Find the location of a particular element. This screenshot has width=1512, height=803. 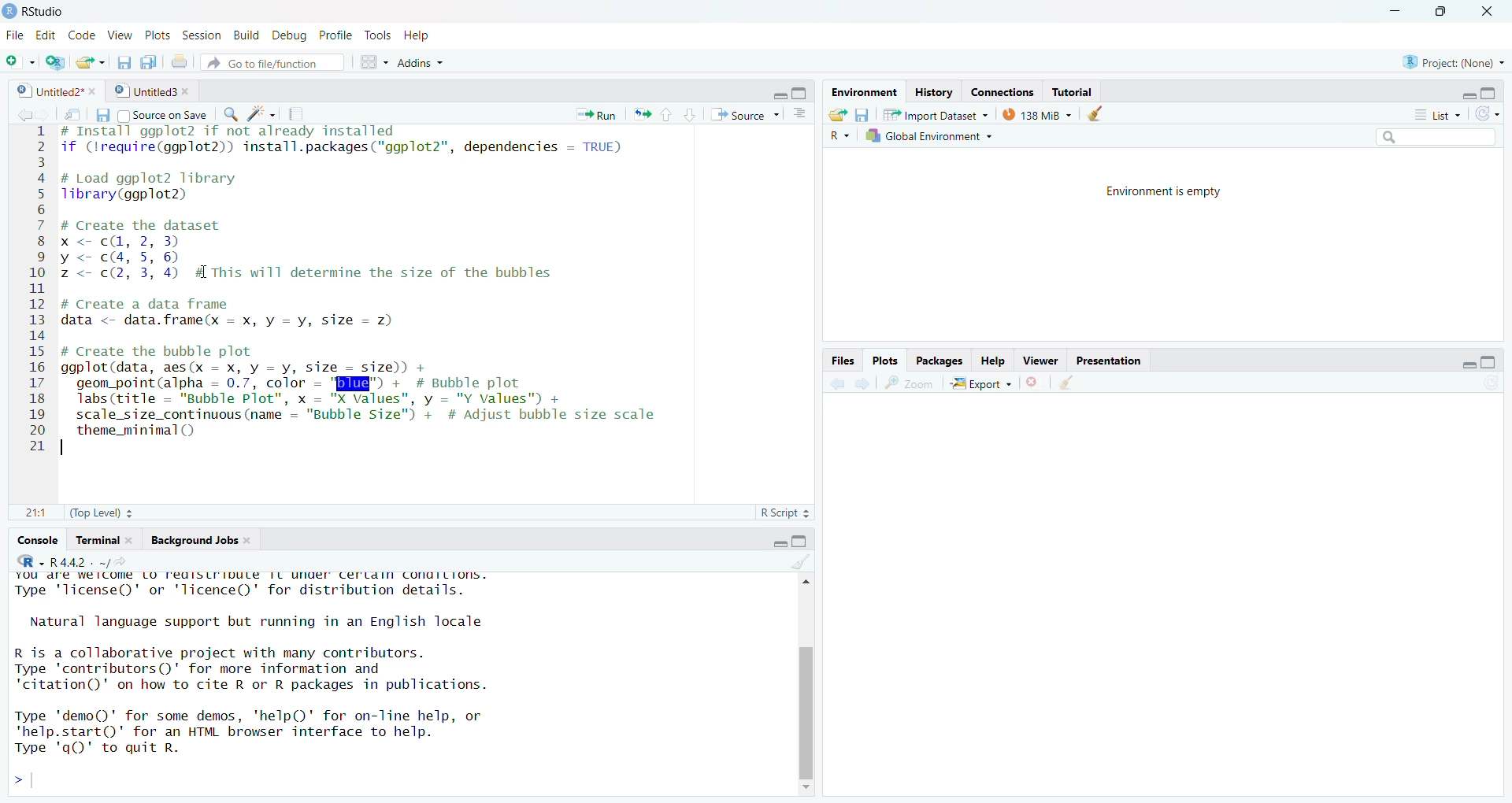

 project: (None)  is located at coordinates (1457, 61).